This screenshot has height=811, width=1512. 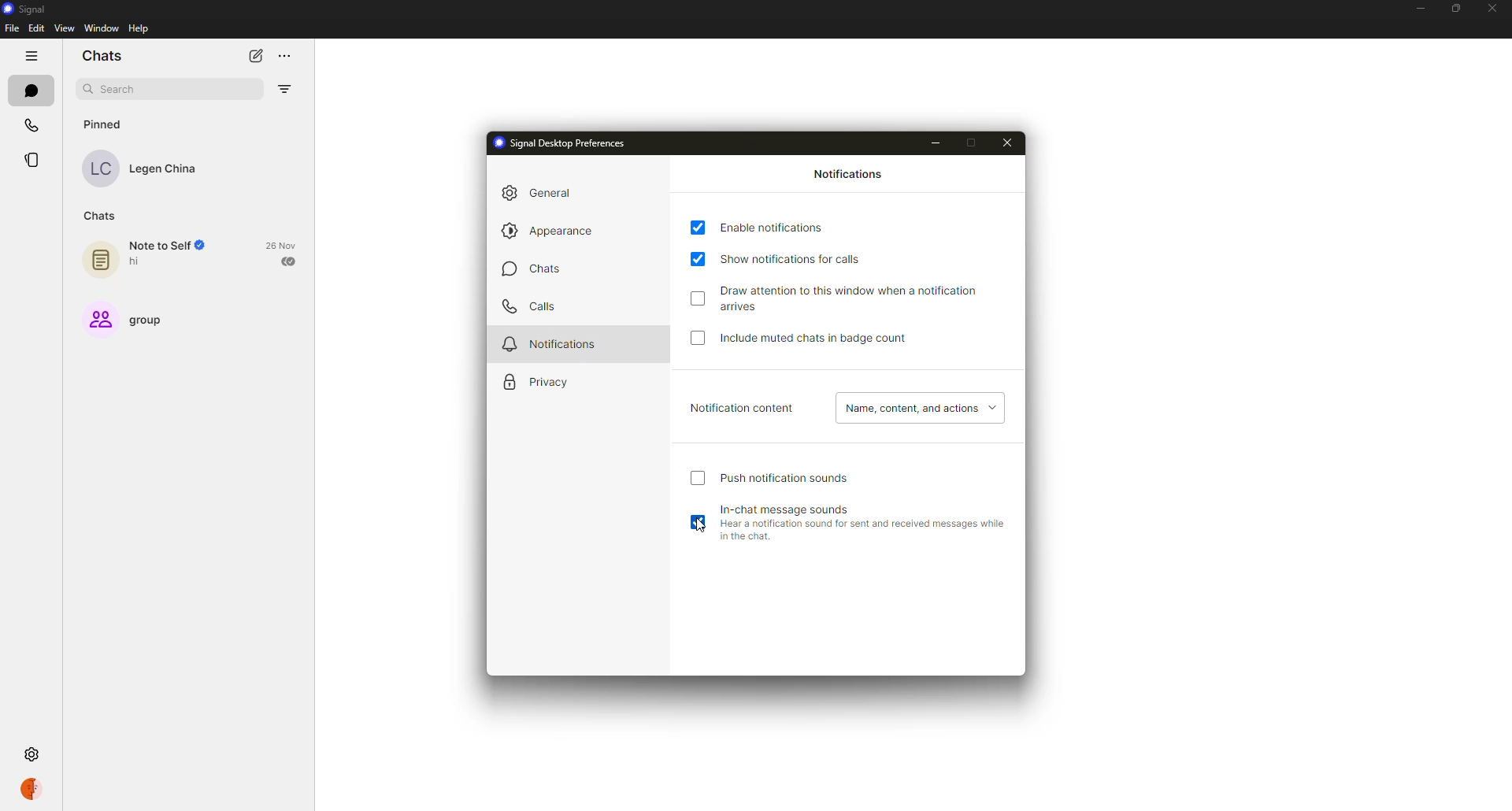 I want to click on view, so click(x=65, y=29).